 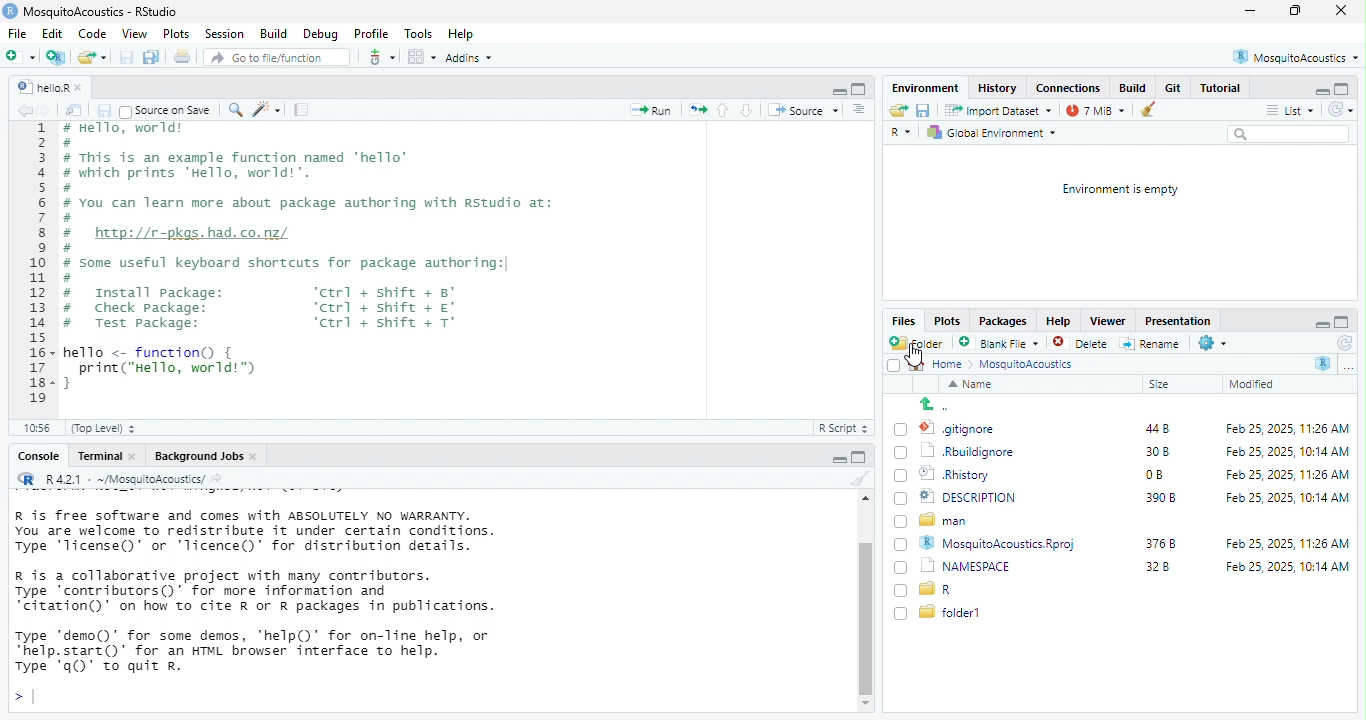 I want to click on r, so click(x=905, y=134).